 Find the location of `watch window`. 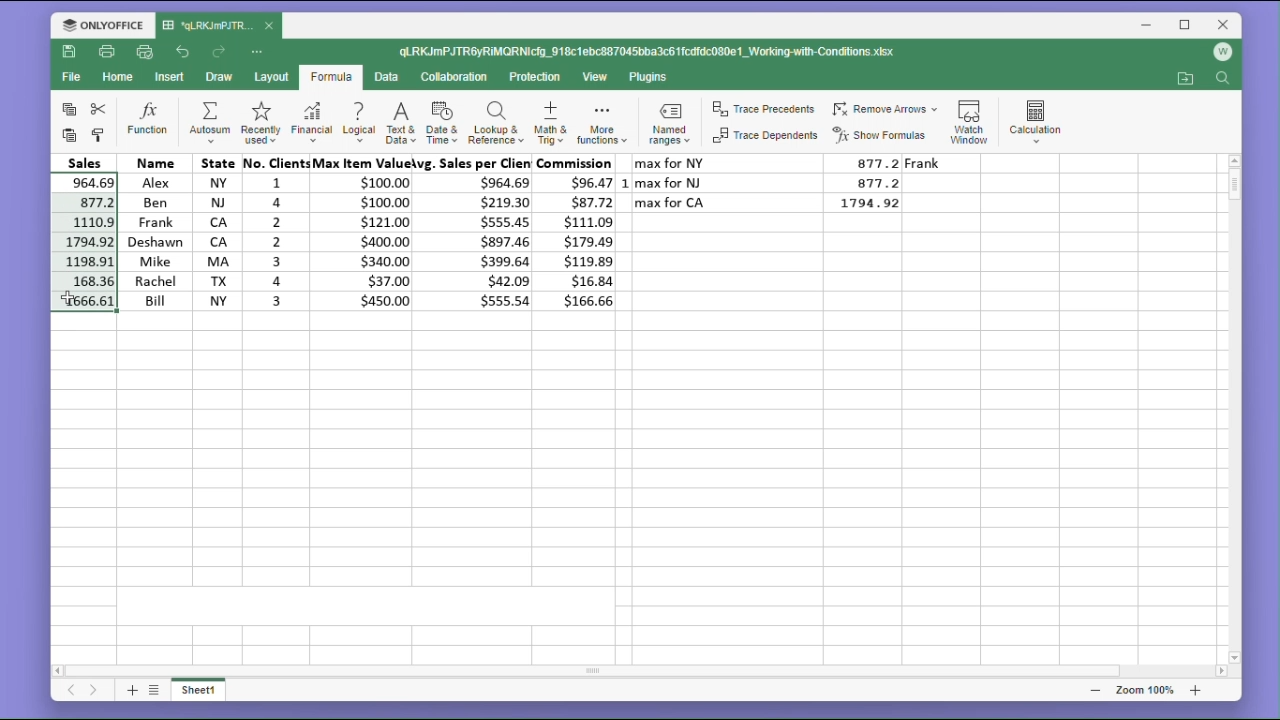

watch window is located at coordinates (972, 118).